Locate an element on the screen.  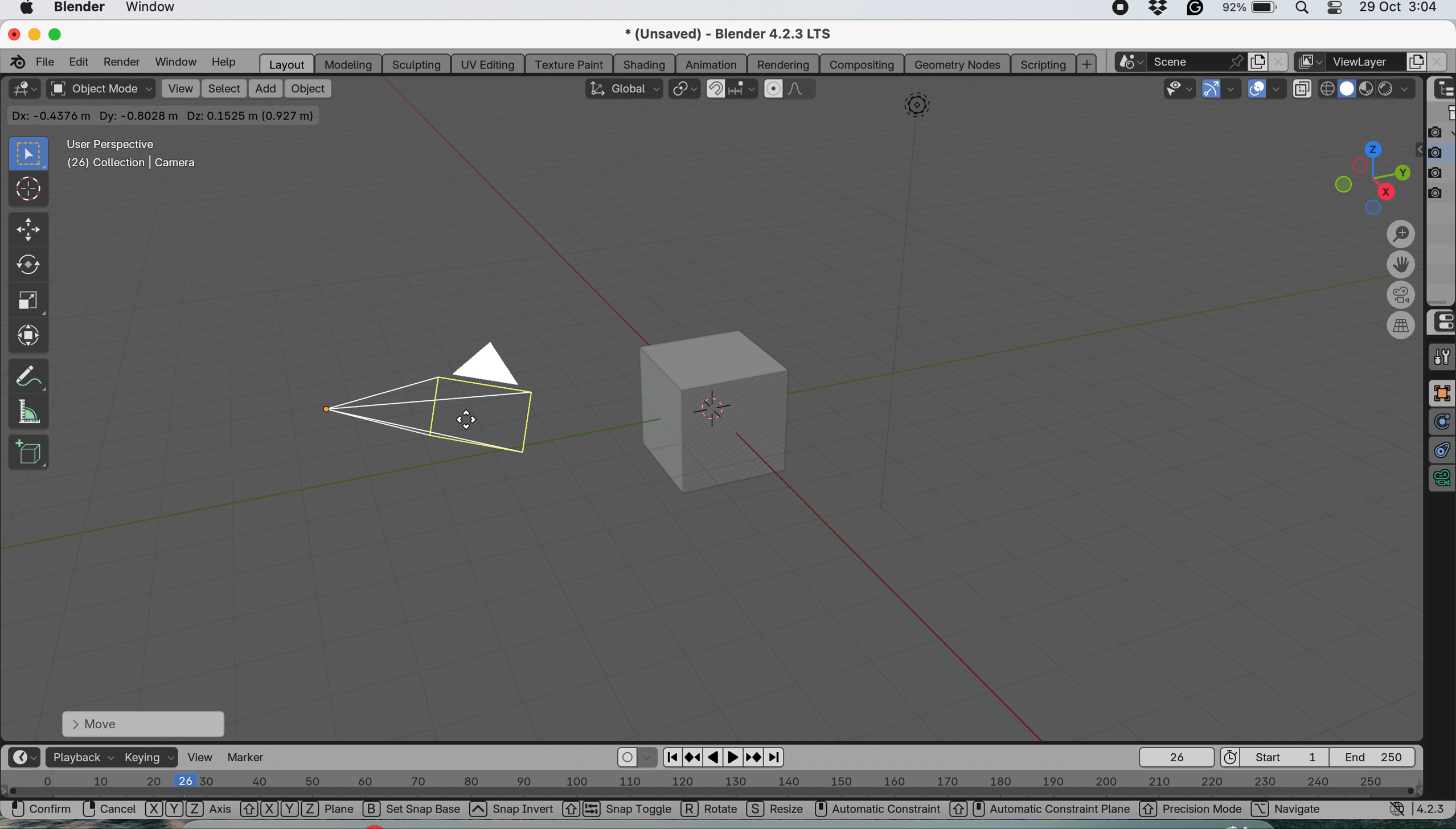
uv editing is located at coordinates (489, 63).